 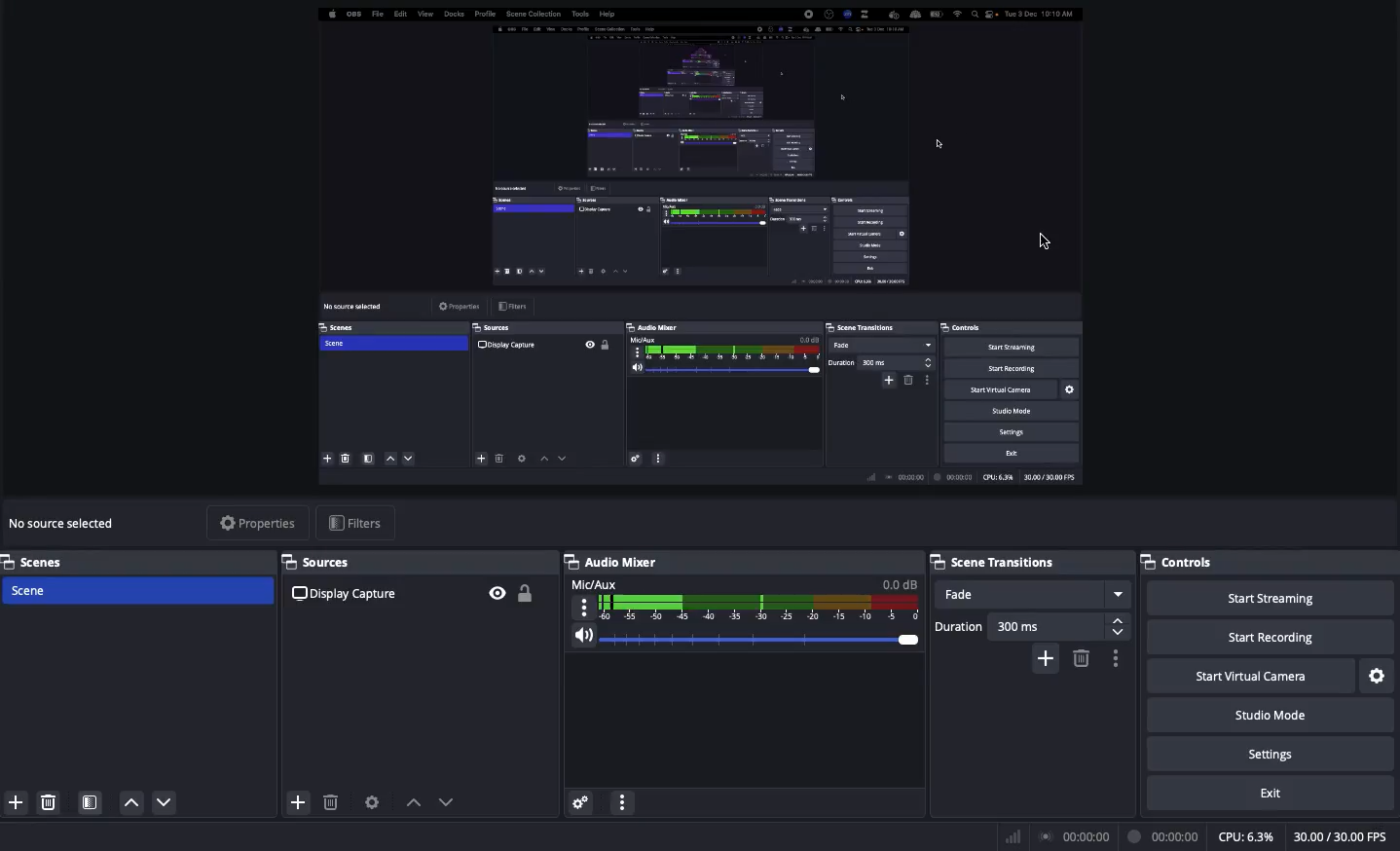 I want to click on Options, so click(x=1113, y=658).